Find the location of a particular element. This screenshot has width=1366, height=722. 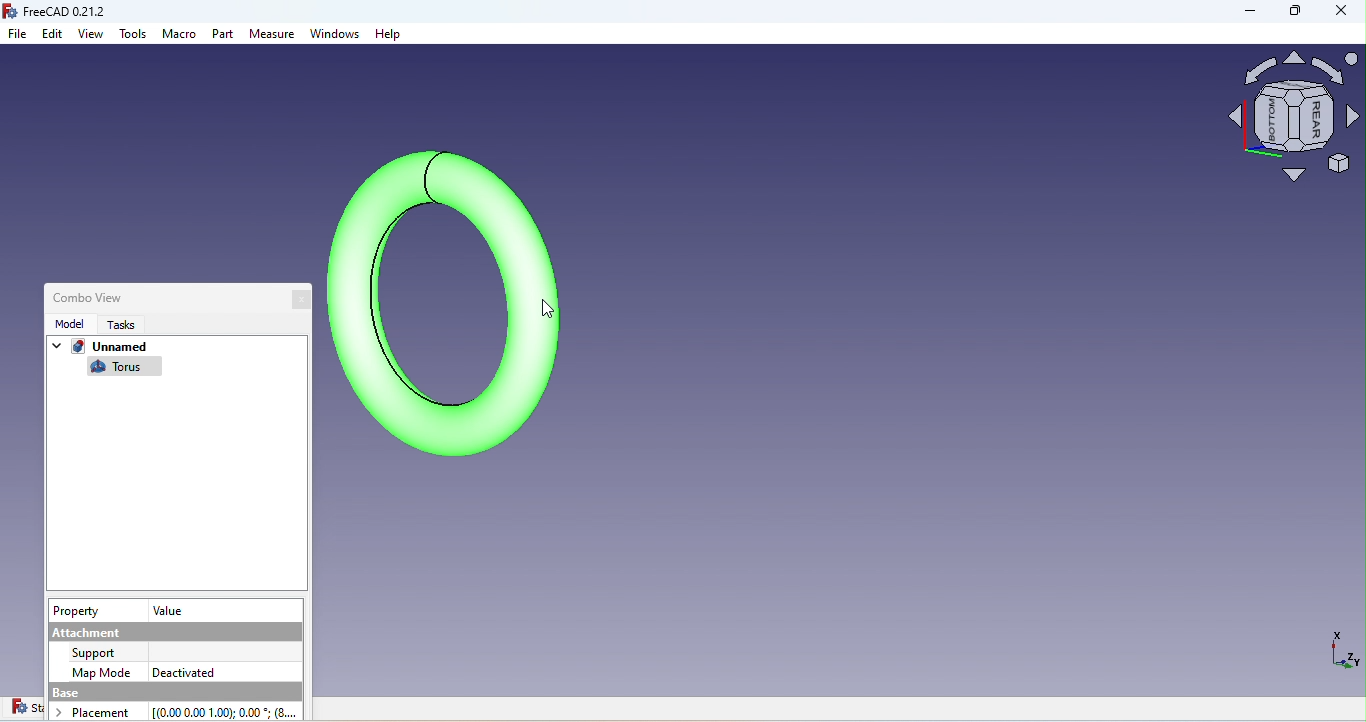

Attachment is located at coordinates (174, 630).